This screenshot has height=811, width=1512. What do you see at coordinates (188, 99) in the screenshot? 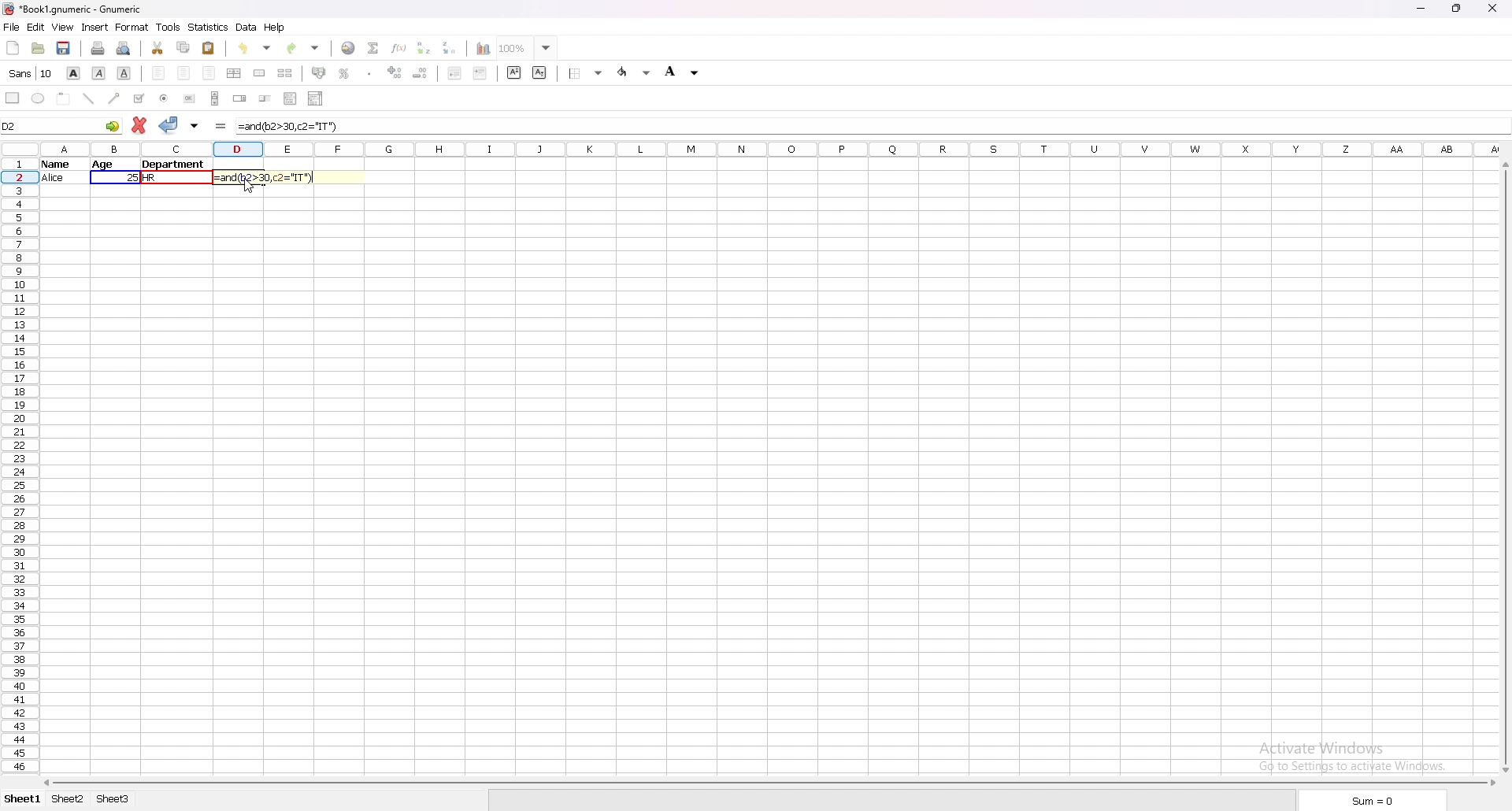
I see `button` at bounding box center [188, 99].